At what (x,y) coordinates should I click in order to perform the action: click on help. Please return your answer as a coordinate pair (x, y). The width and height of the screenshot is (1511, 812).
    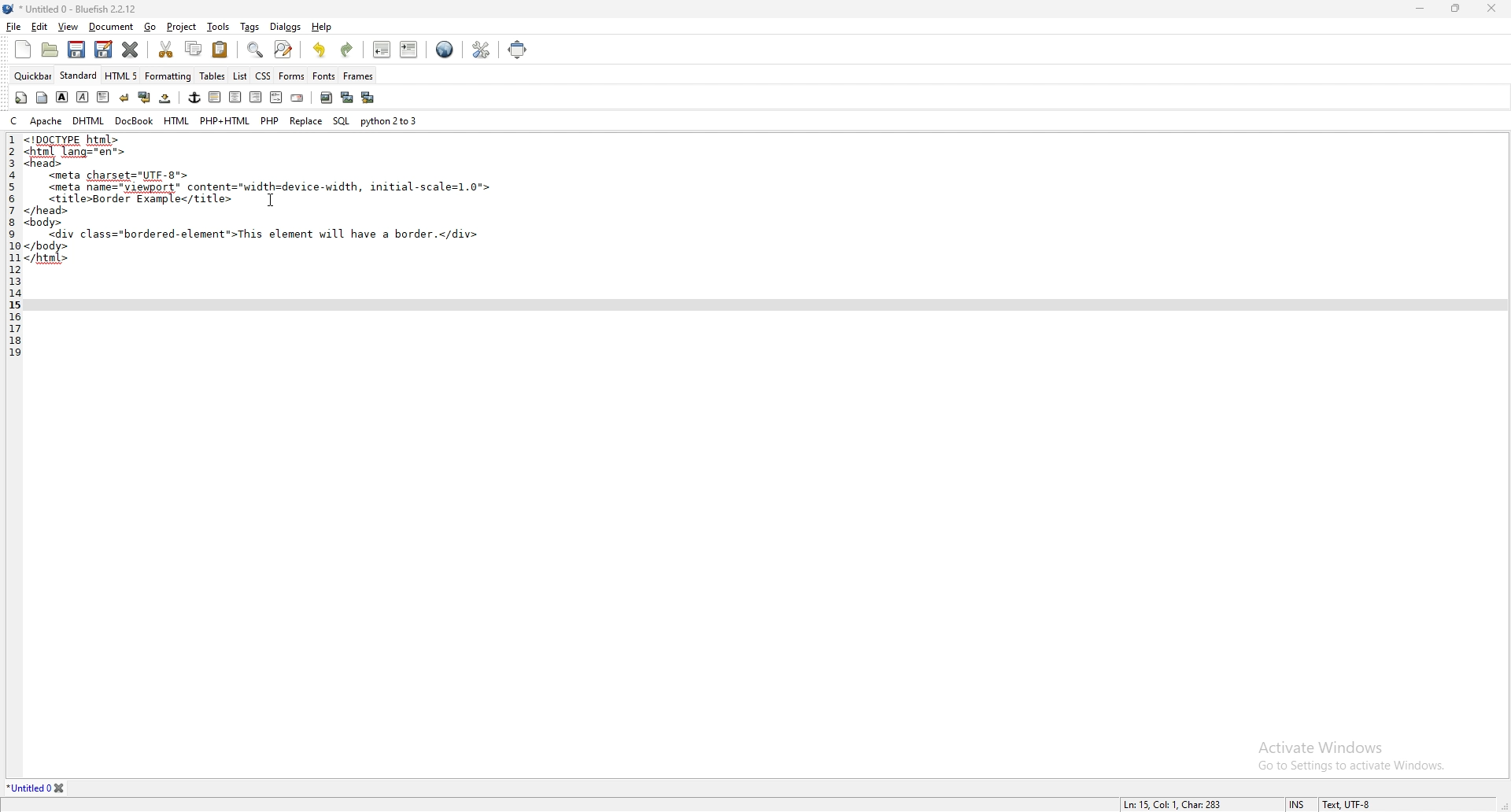
    Looking at the image, I should click on (323, 26).